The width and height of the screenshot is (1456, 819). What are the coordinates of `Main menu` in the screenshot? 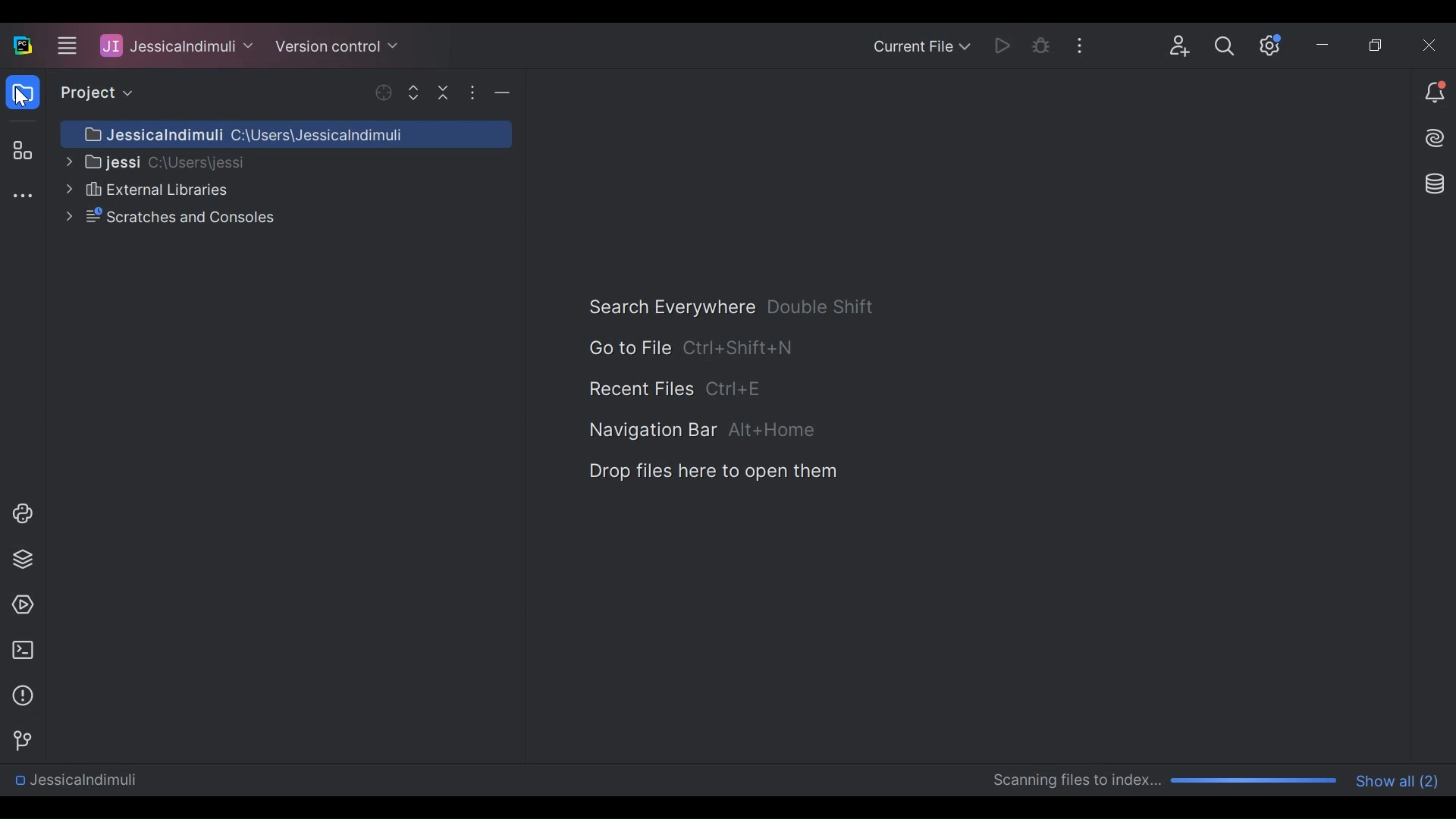 It's located at (62, 45).